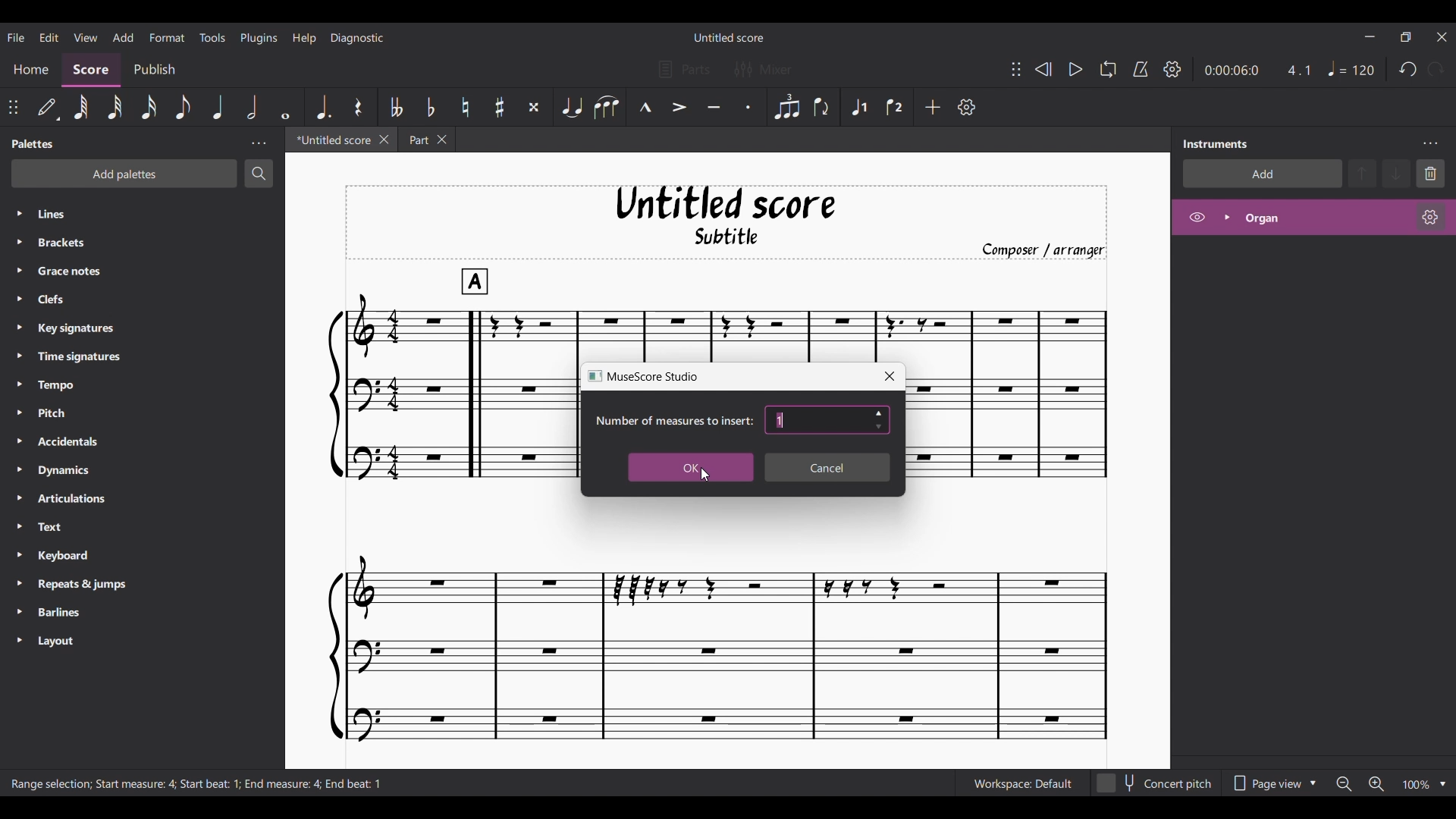 The height and width of the screenshot is (819, 1456). I want to click on Highlighted after current selection, so click(860, 106).